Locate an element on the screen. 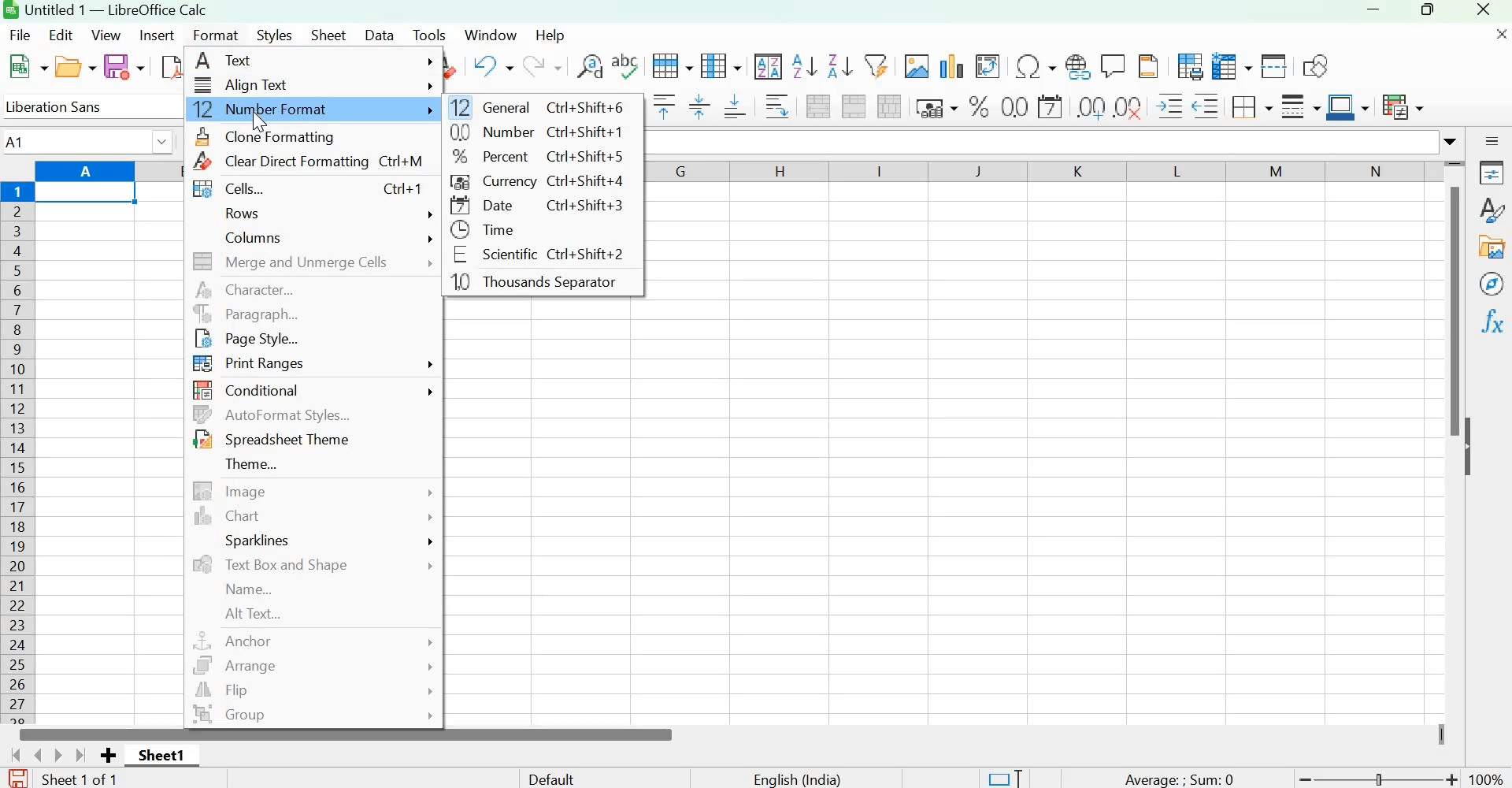 The image size is (1512, 788). Align top is located at coordinates (662, 107).